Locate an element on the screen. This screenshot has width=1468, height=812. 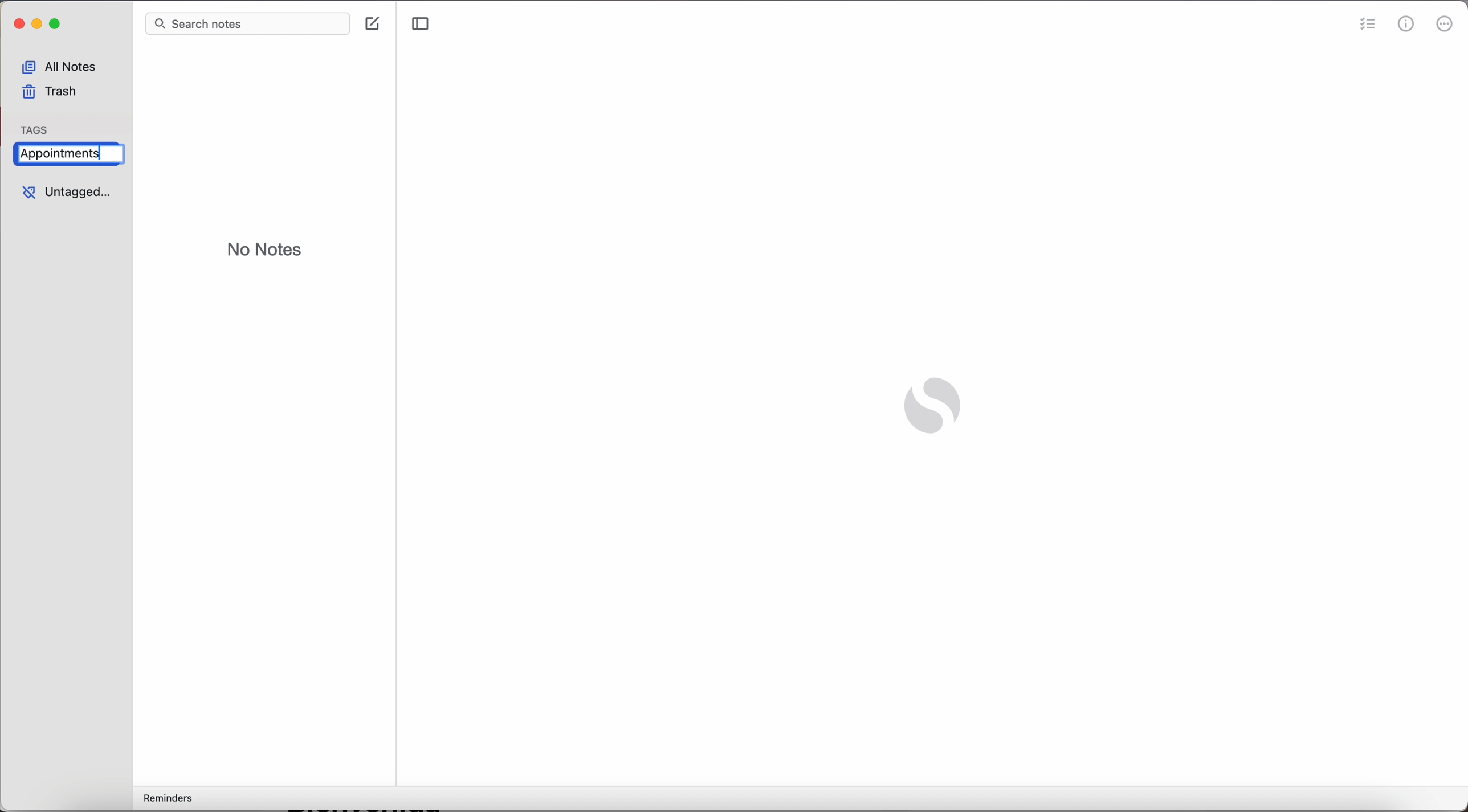
trash is located at coordinates (50, 94).